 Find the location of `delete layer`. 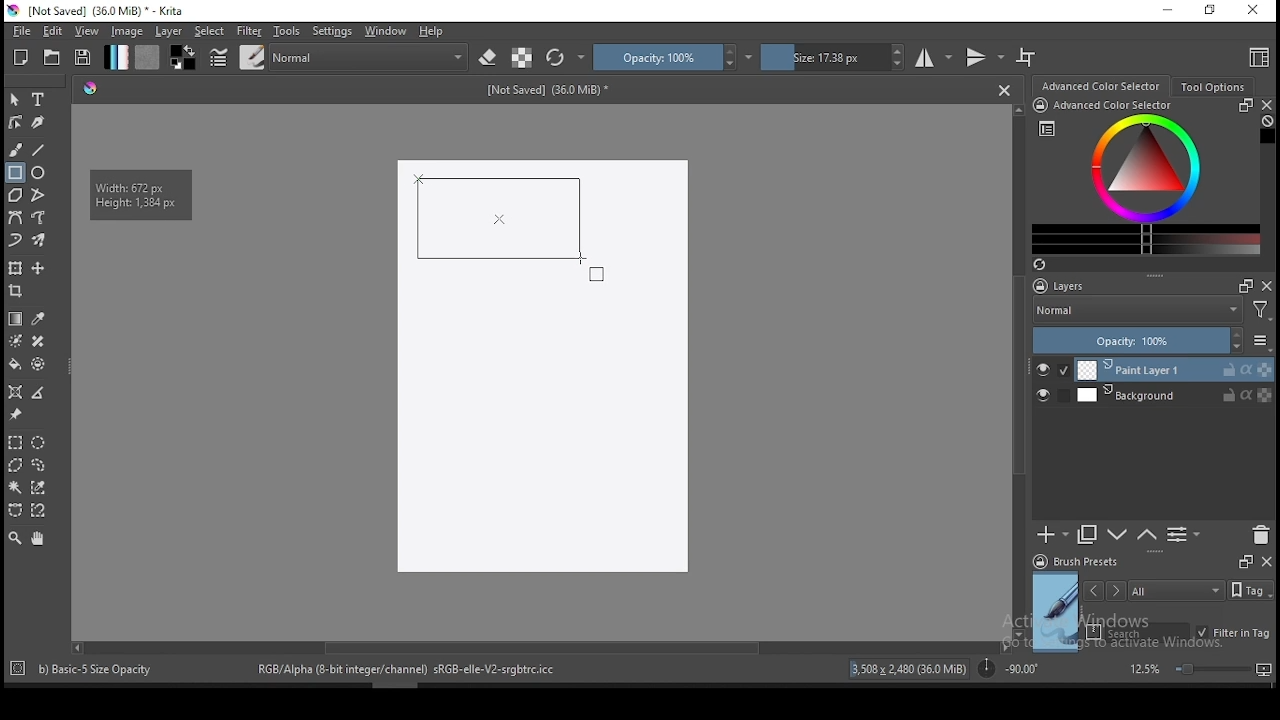

delete layer is located at coordinates (1260, 536).